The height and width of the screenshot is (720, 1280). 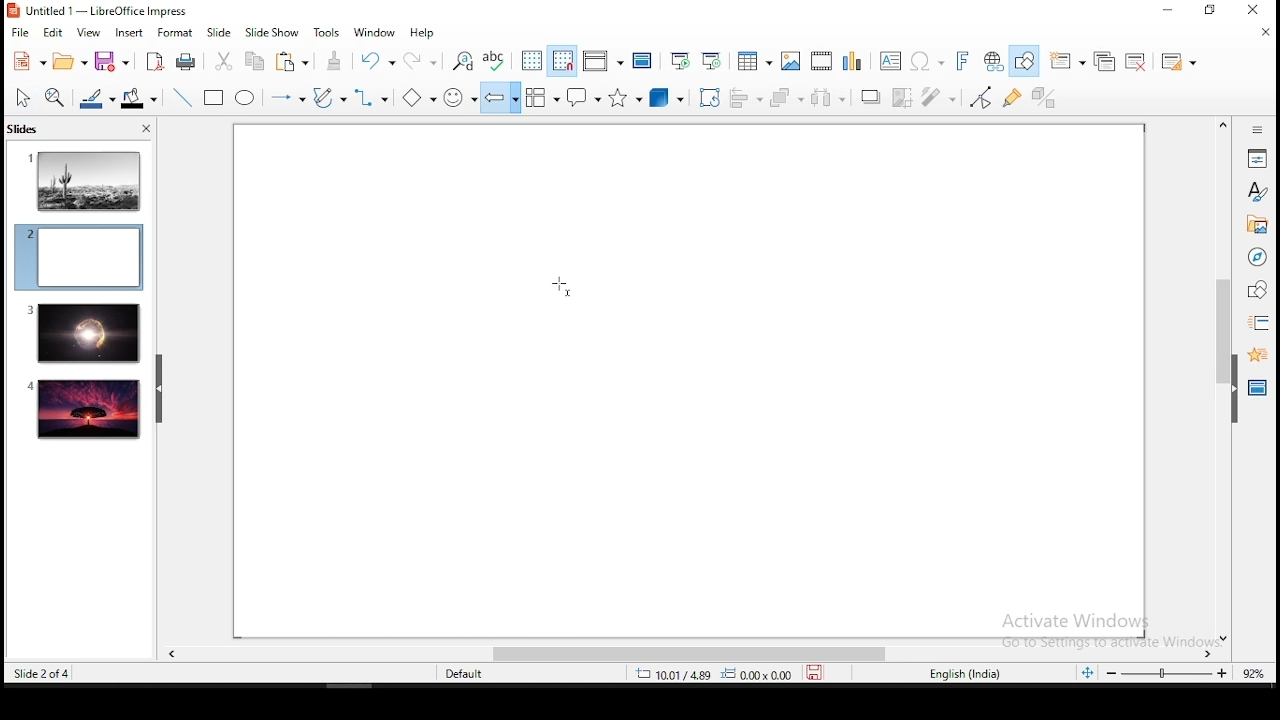 I want to click on shapes, so click(x=1255, y=290).